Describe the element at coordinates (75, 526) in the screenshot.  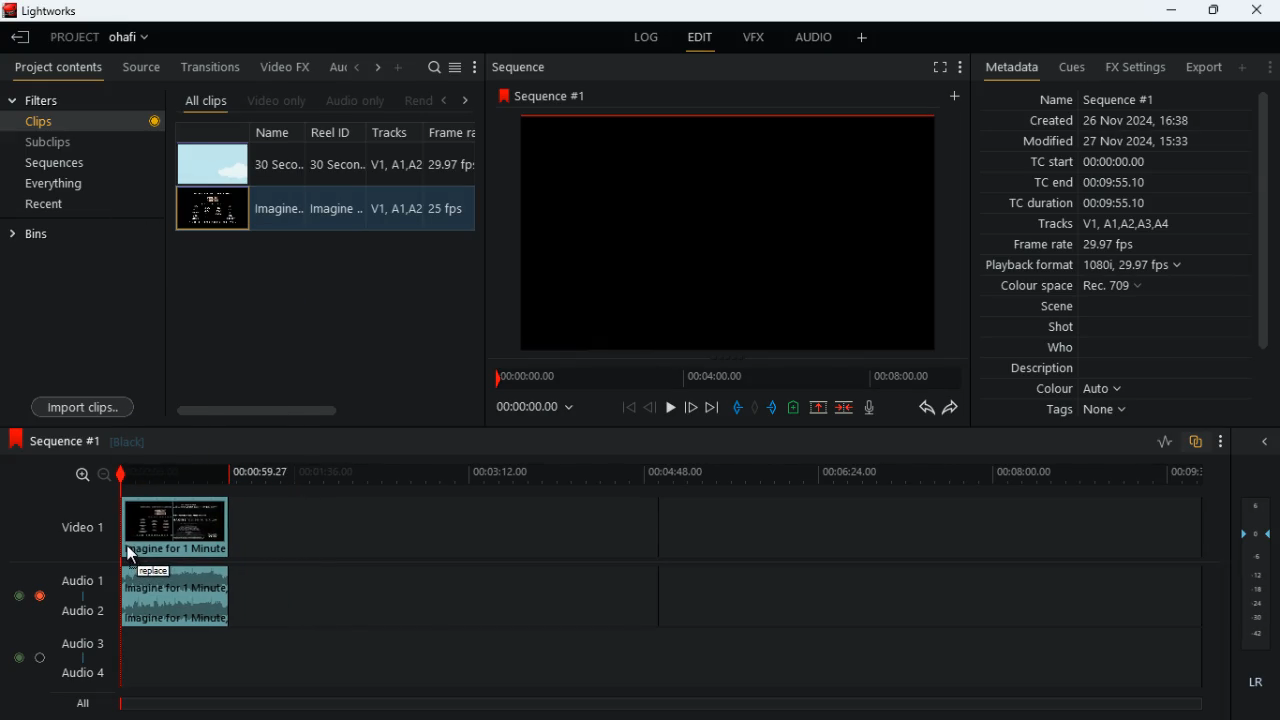
I see `video 1` at that location.